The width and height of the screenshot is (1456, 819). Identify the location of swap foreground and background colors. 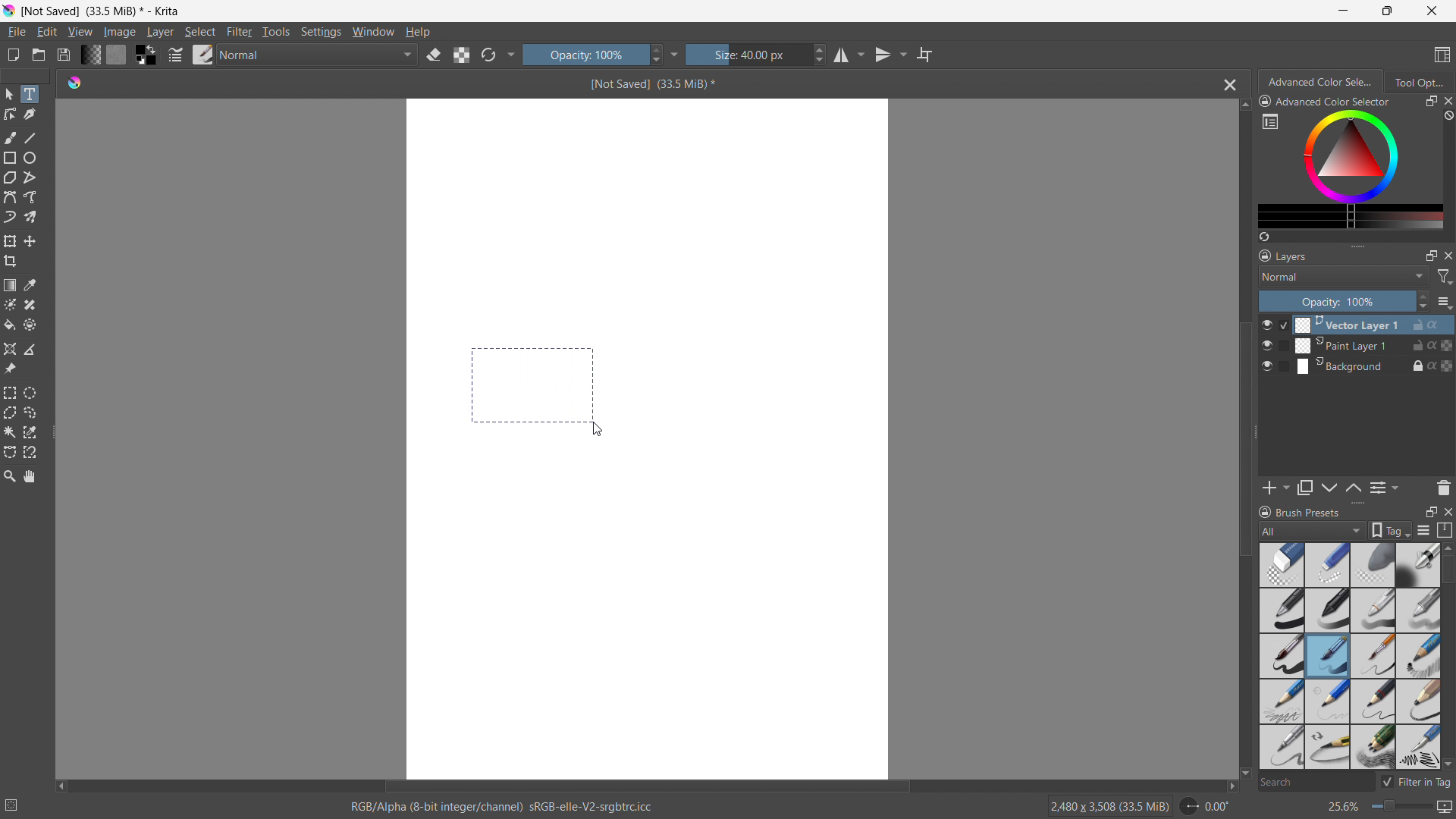
(146, 55).